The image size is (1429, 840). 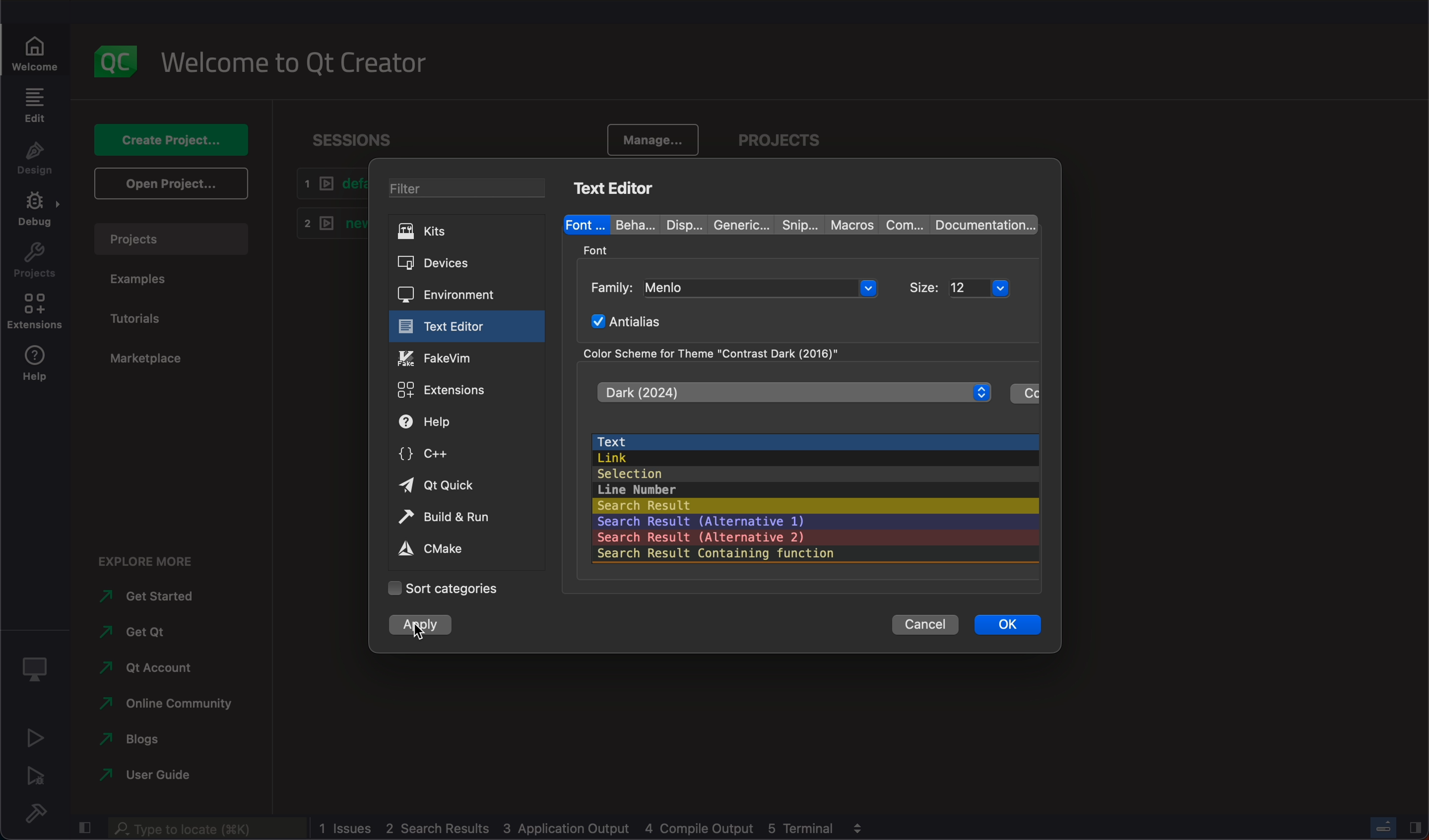 What do you see at coordinates (633, 321) in the screenshot?
I see `anitialias` at bounding box center [633, 321].